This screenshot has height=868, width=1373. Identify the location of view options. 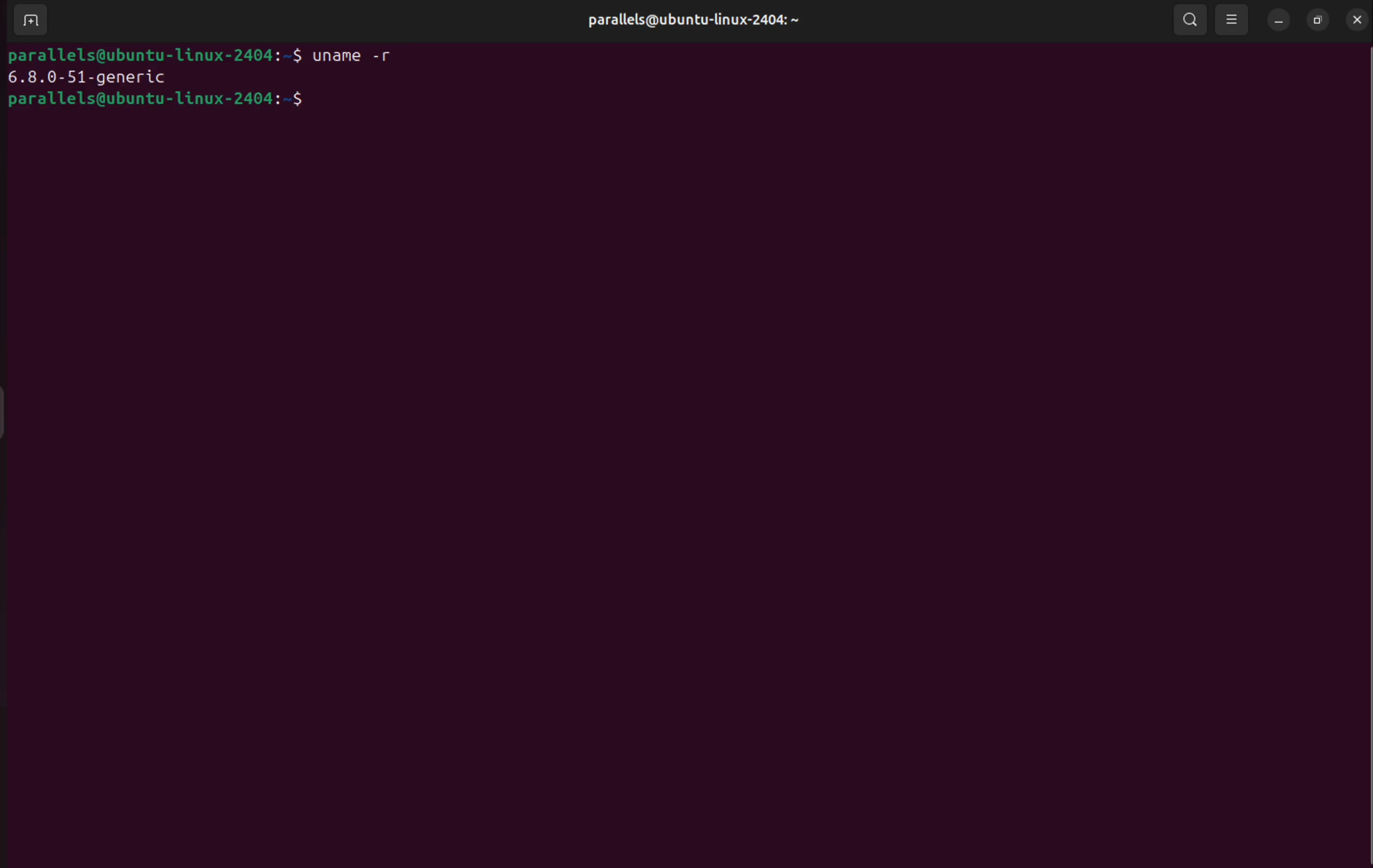
(1234, 20).